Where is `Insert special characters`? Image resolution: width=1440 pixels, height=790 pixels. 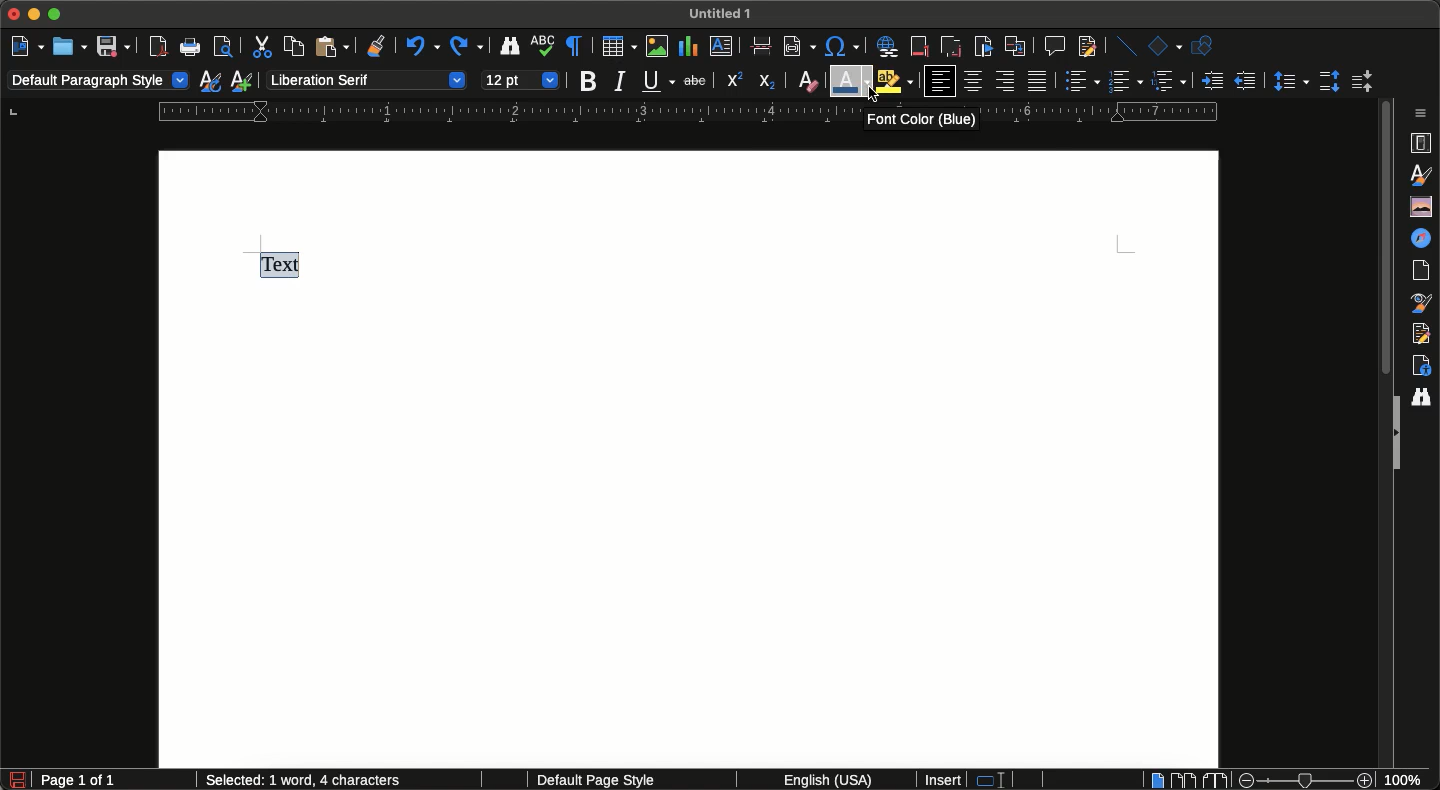 Insert special characters is located at coordinates (844, 46).